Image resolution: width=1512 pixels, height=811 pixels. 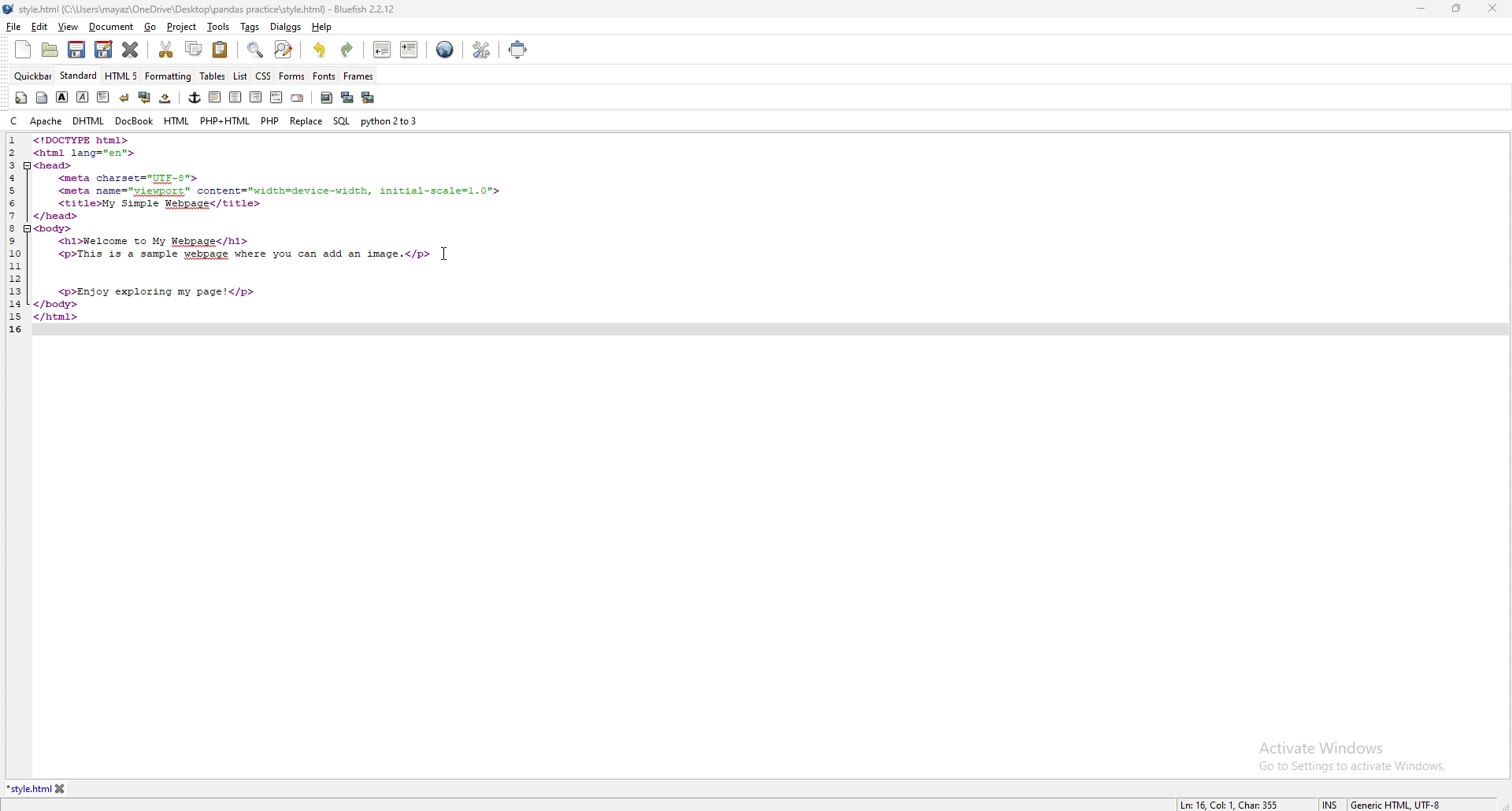 What do you see at coordinates (216, 98) in the screenshot?
I see `left justify` at bounding box center [216, 98].